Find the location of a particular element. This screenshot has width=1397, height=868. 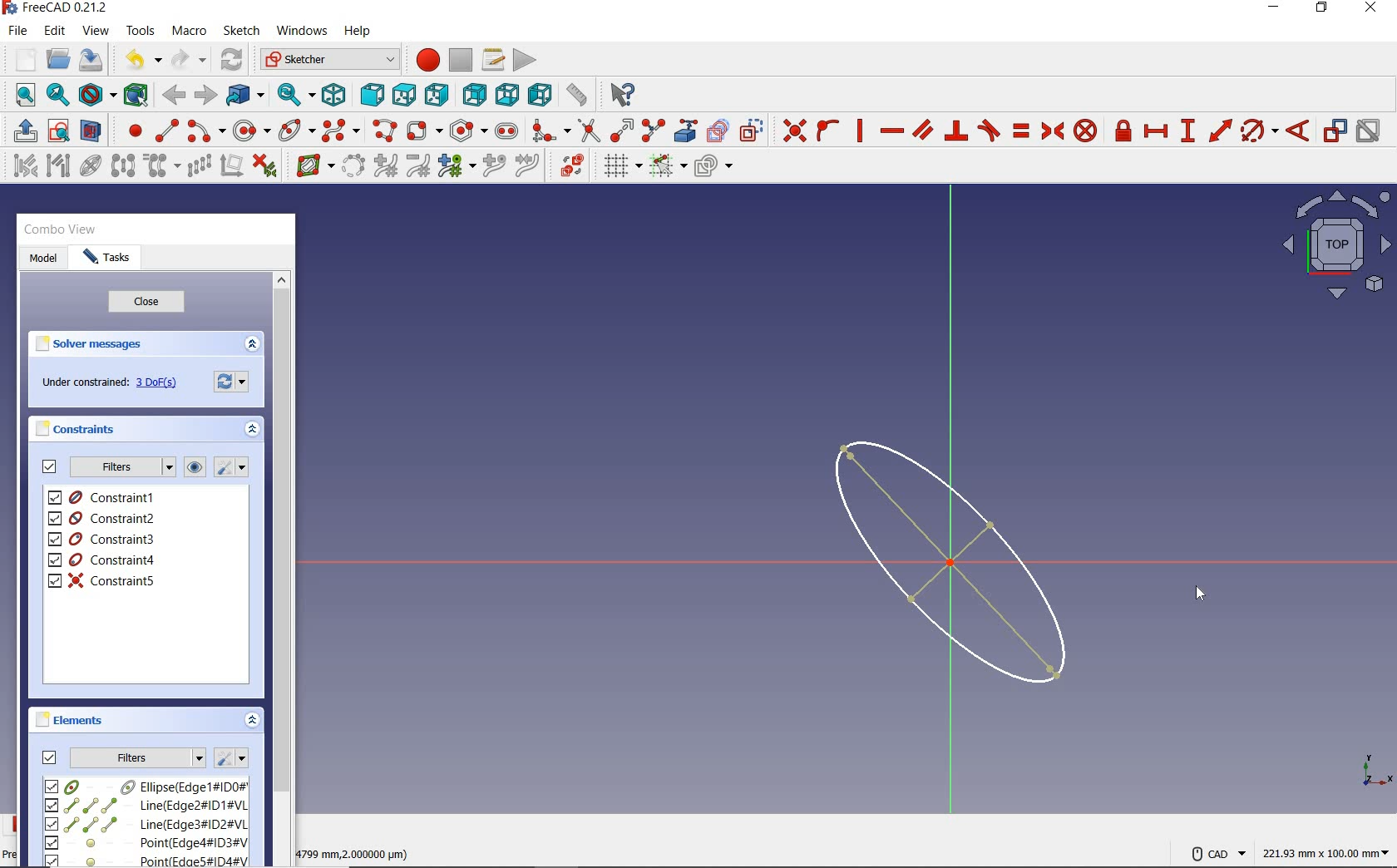

help is located at coordinates (357, 32).